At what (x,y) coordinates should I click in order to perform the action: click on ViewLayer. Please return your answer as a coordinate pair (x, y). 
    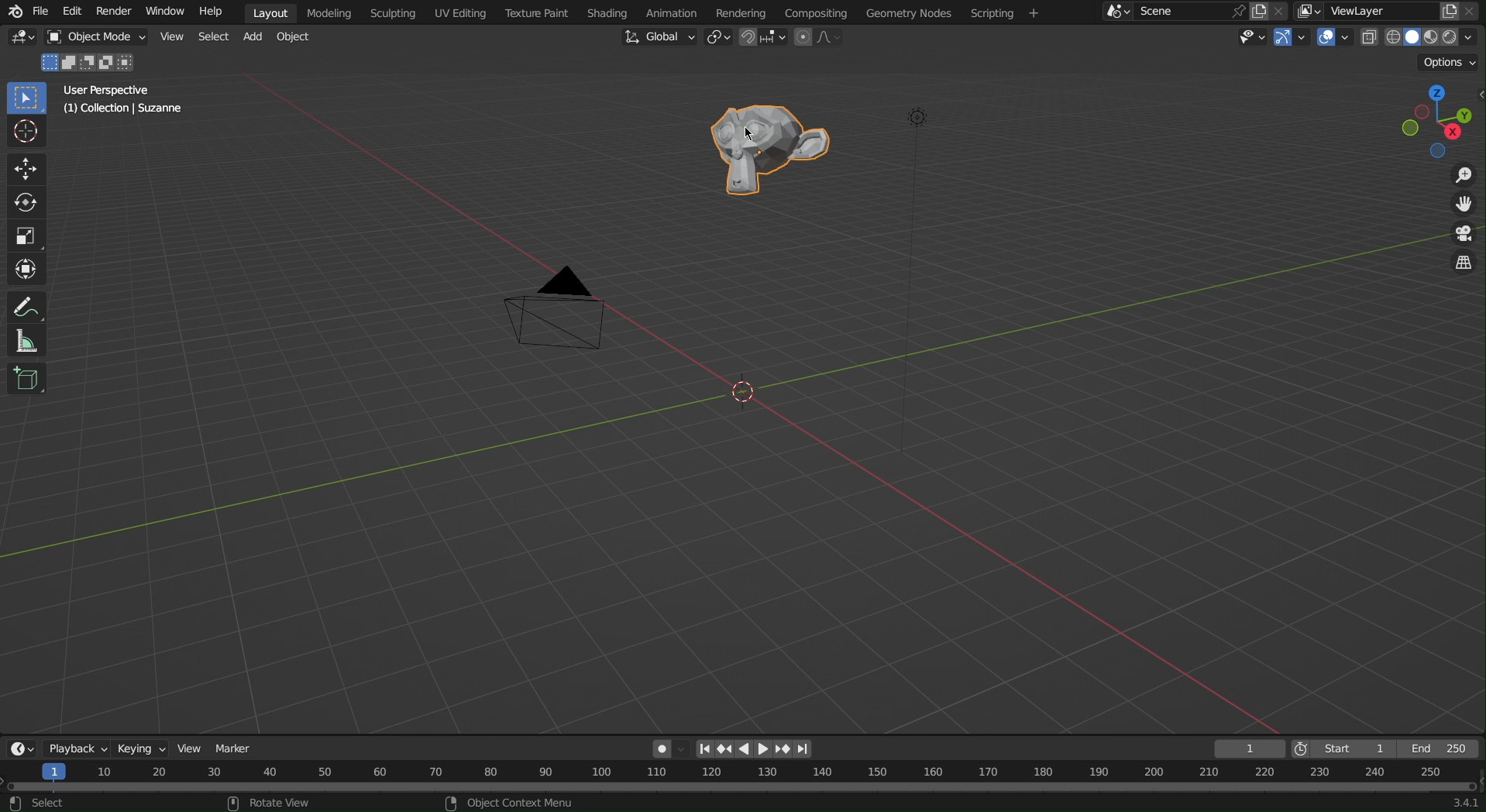
    Looking at the image, I should click on (1378, 12).